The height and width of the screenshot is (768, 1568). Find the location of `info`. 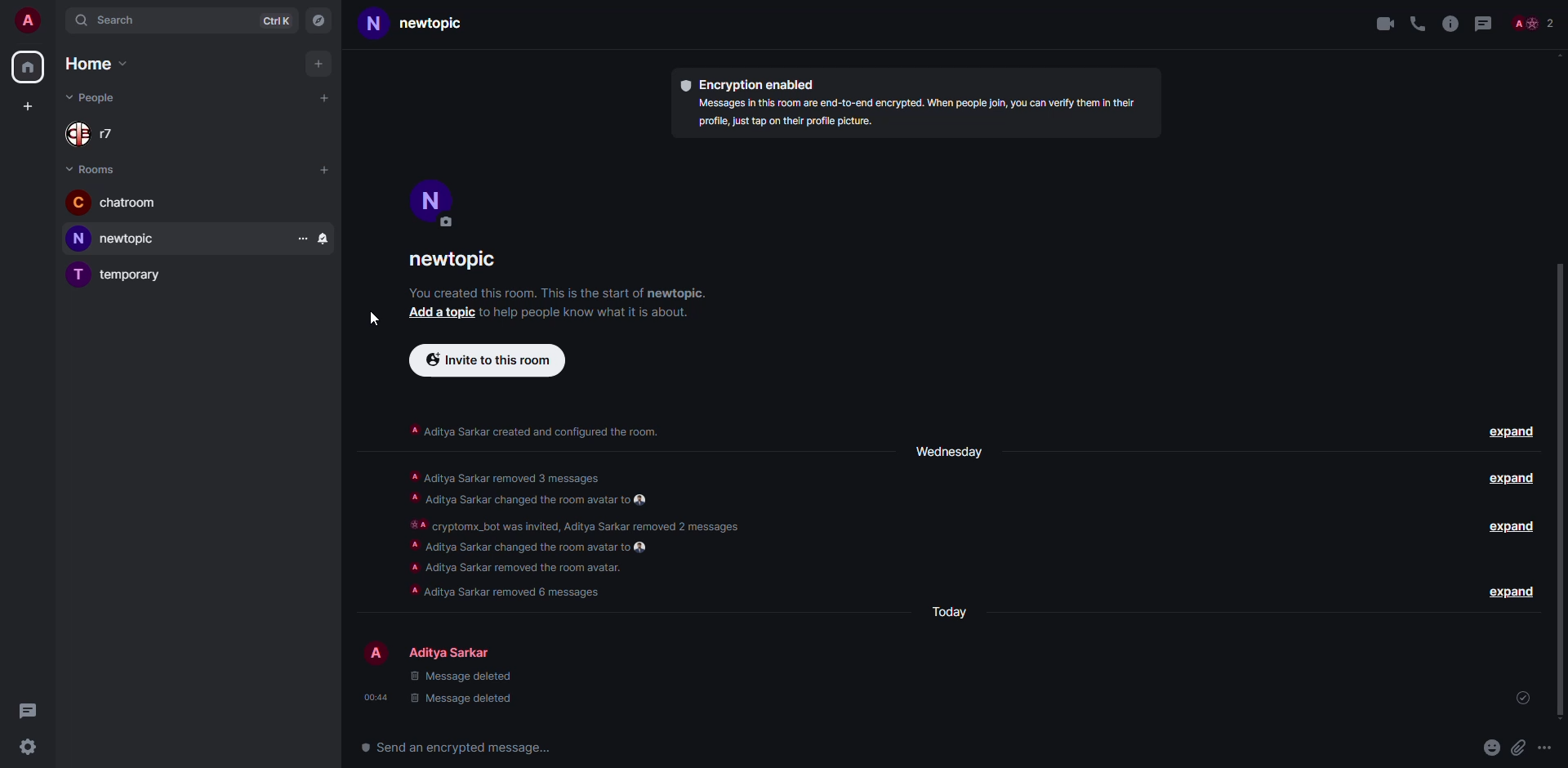

info is located at coordinates (567, 534).